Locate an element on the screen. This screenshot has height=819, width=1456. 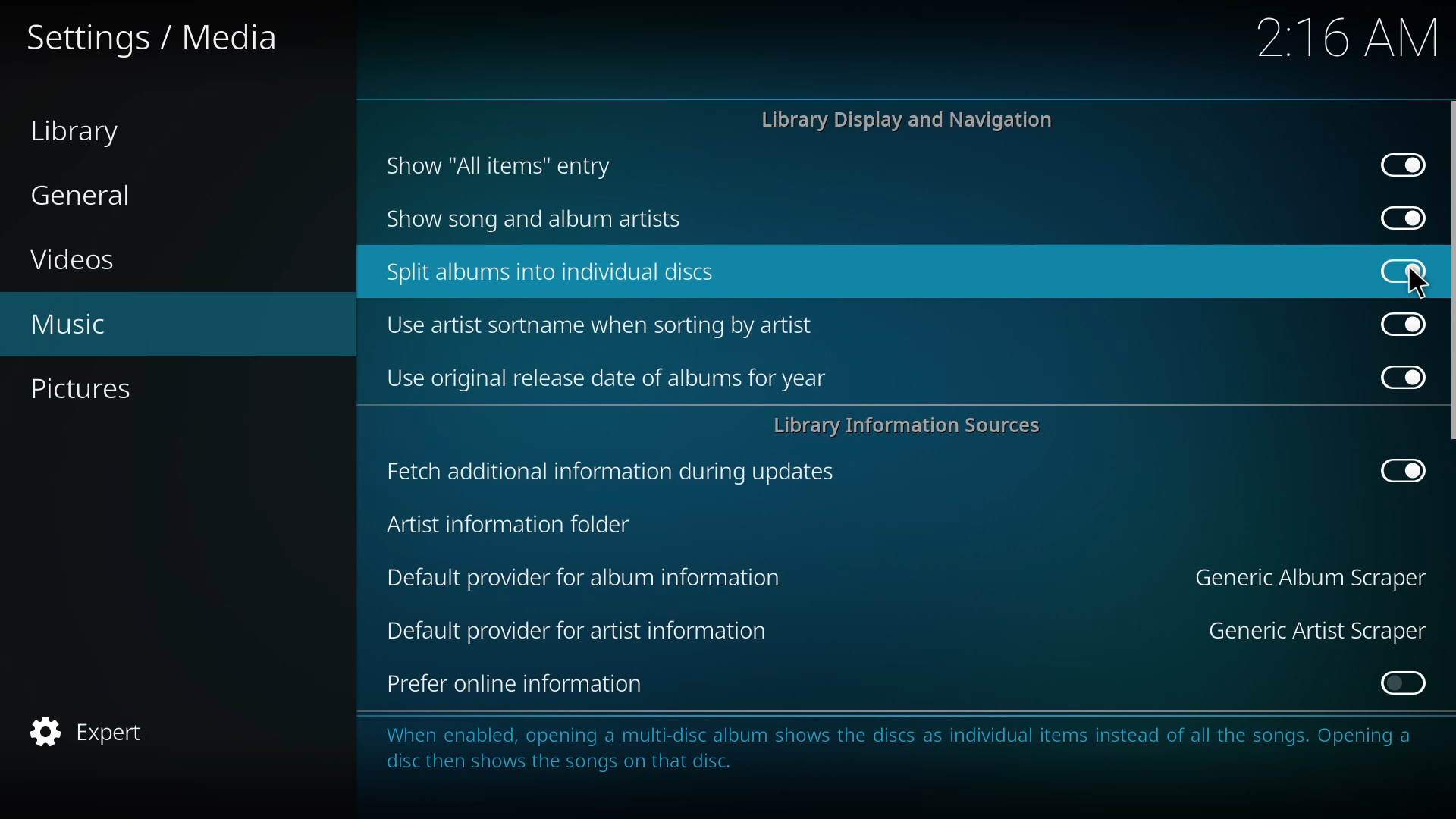
split albums into discs is located at coordinates (554, 271).